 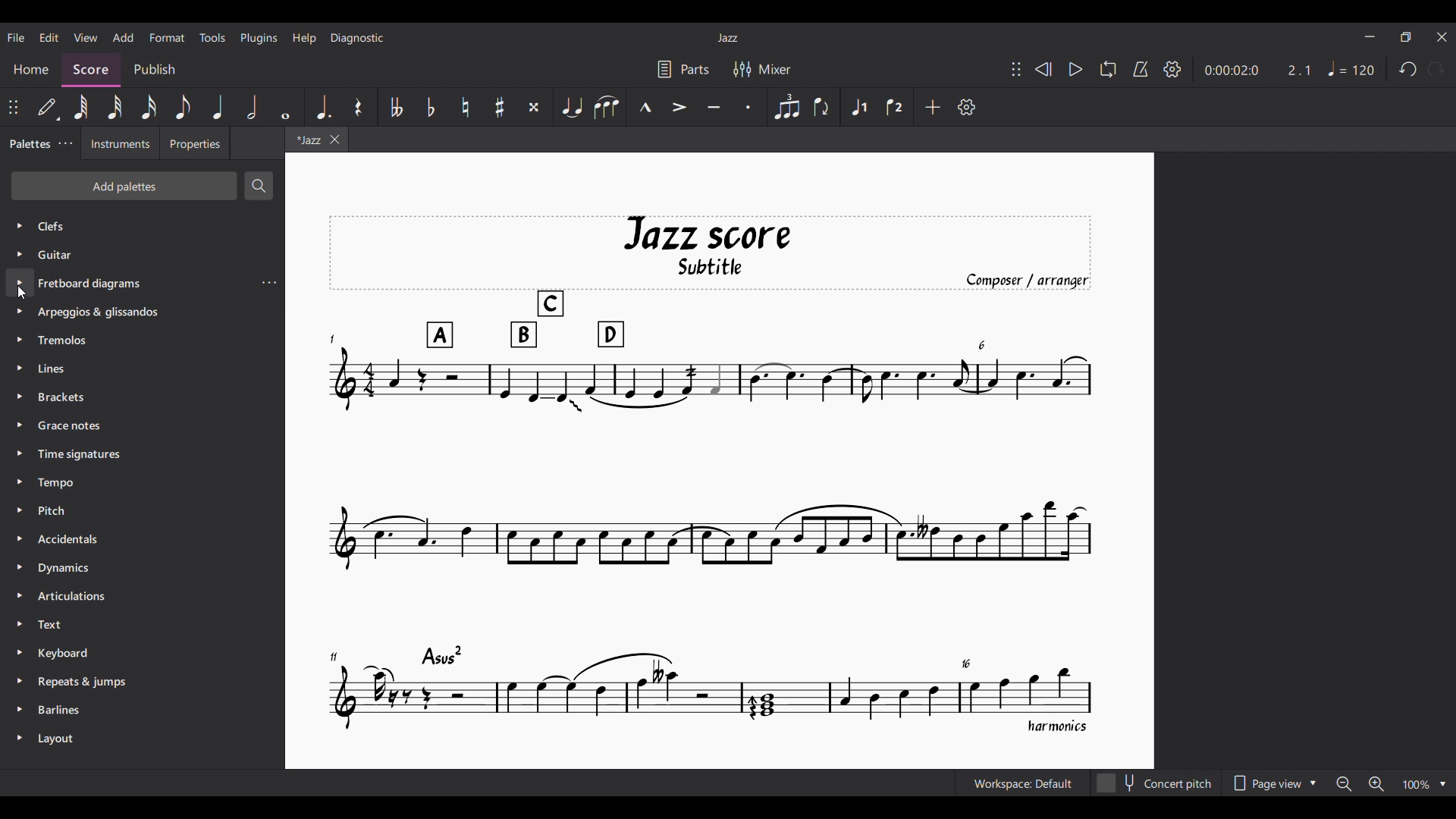 What do you see at coordinates (572, 106) in the screenshot?
I see `Tie` at bounding box center [572, 106].